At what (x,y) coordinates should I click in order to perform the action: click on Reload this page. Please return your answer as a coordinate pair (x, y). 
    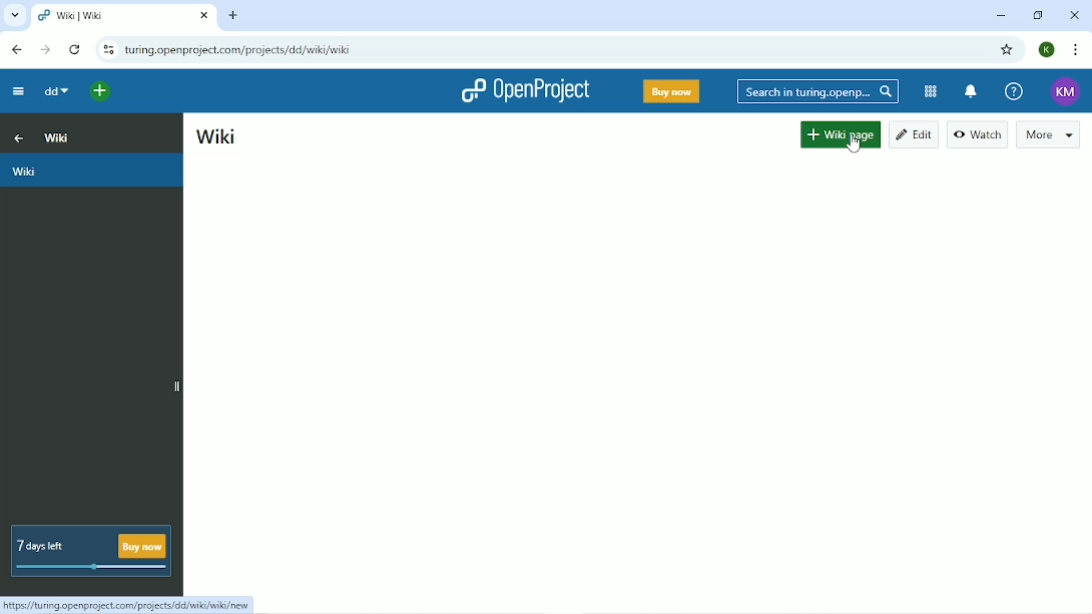
    Looking at the image, I should click on (76, 50).